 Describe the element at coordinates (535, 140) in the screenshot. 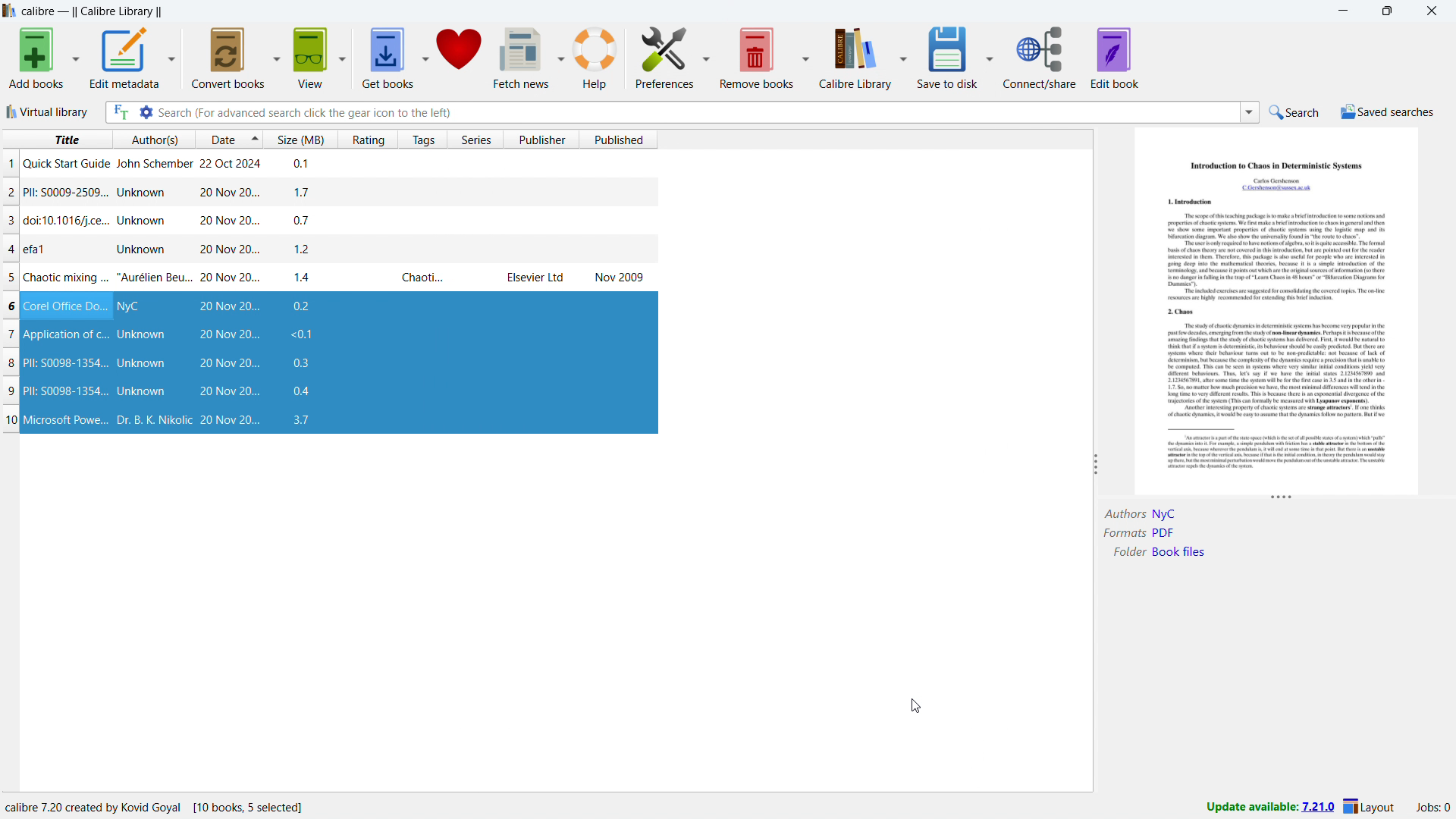

I see `sort by publisher` at that location.